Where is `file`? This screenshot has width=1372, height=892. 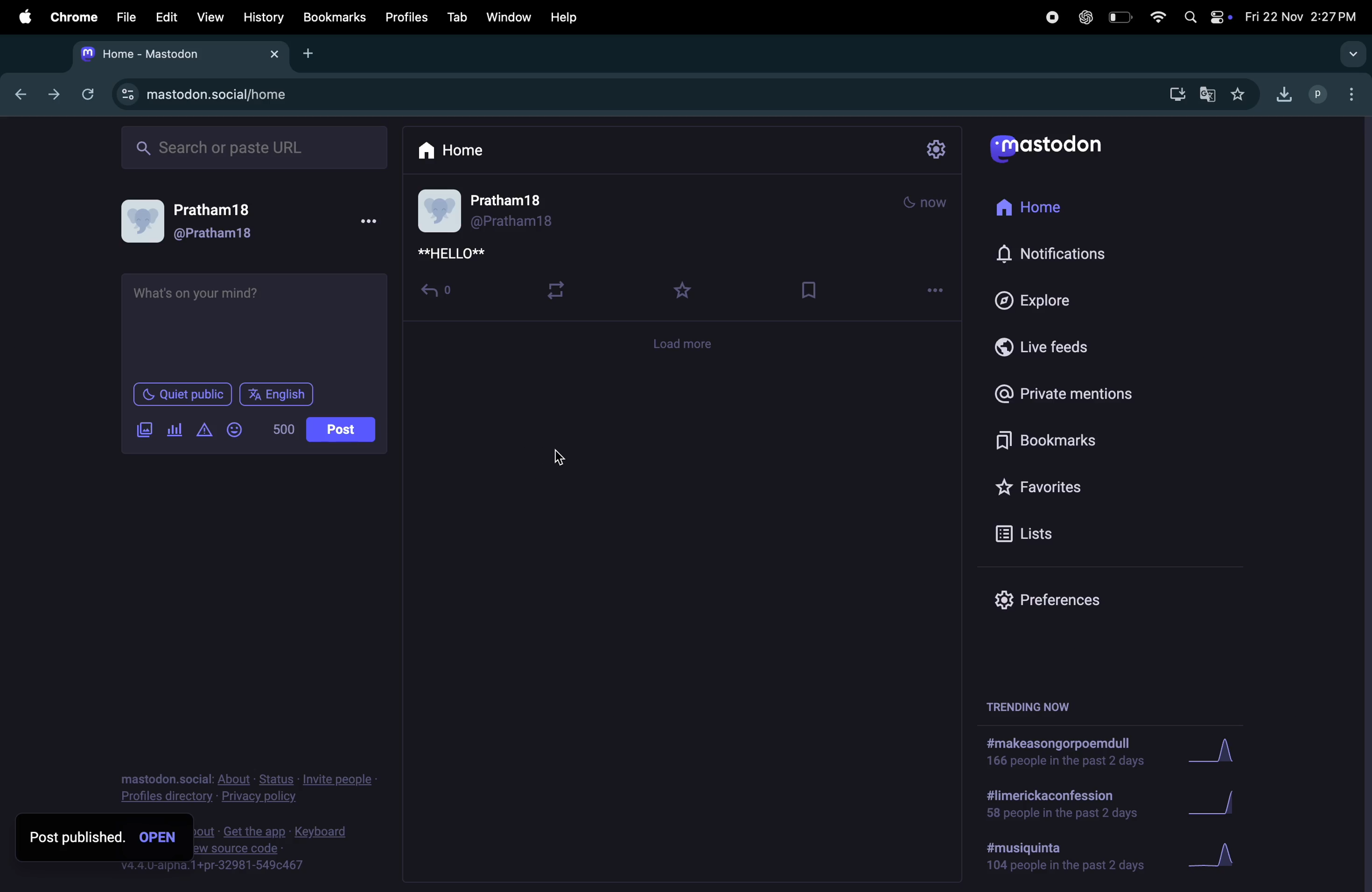 file is located at coordinates (127, 16).